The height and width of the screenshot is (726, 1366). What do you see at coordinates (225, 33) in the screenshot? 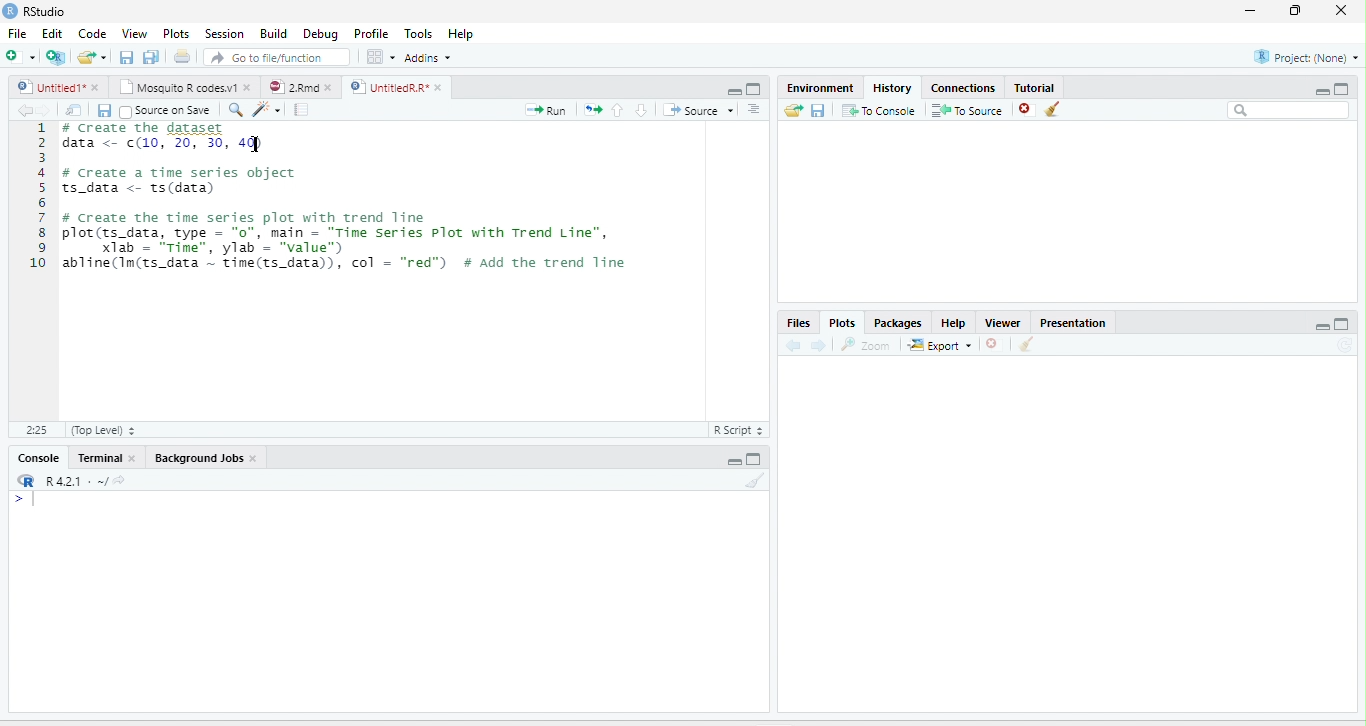
I see `Session` at bounding box center [225, 33].